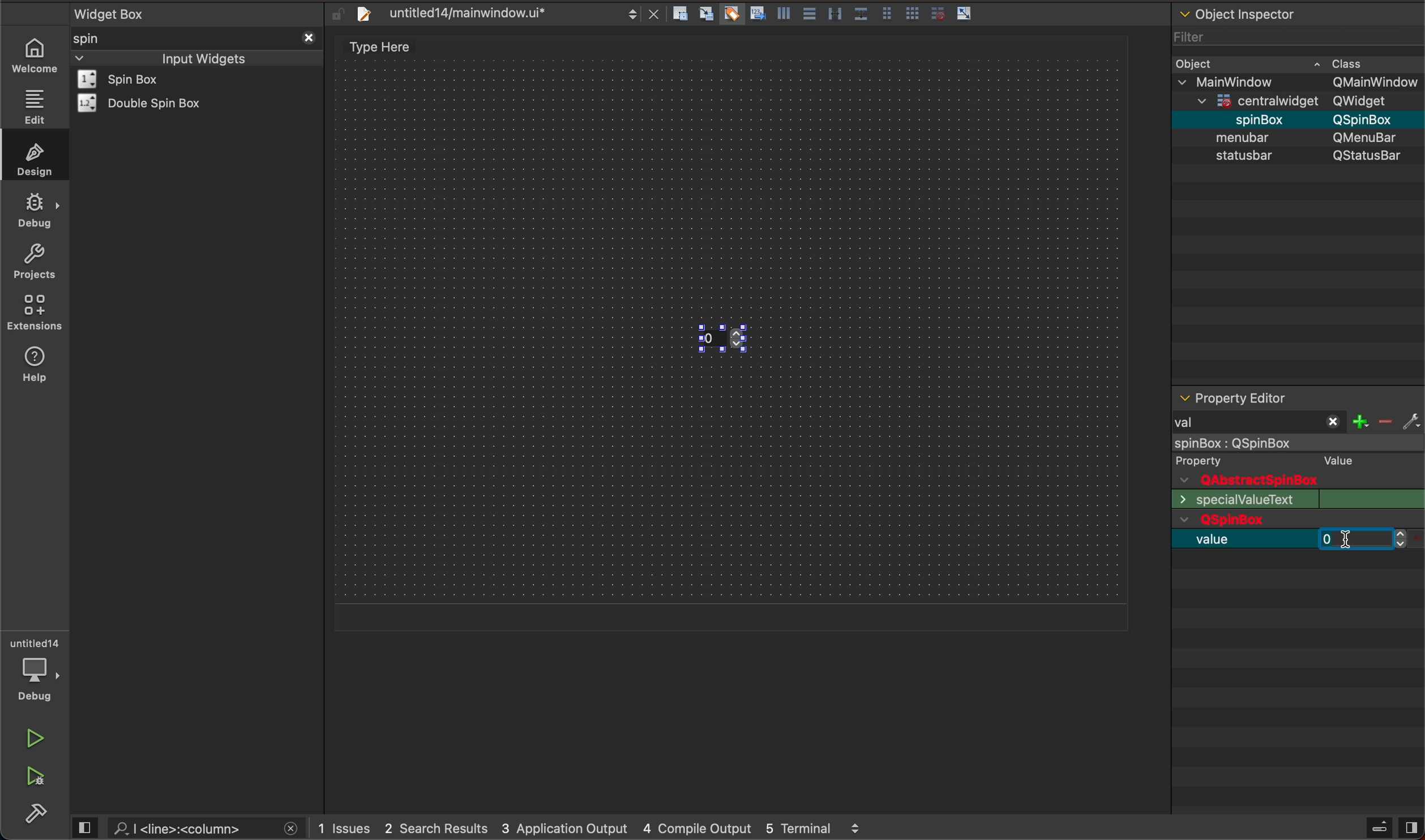 Image resolution: width=1425 pixels, height=840 pixels. Describe the element at coordinates (35, 211) in the screenshot. I see `debug` at that location.